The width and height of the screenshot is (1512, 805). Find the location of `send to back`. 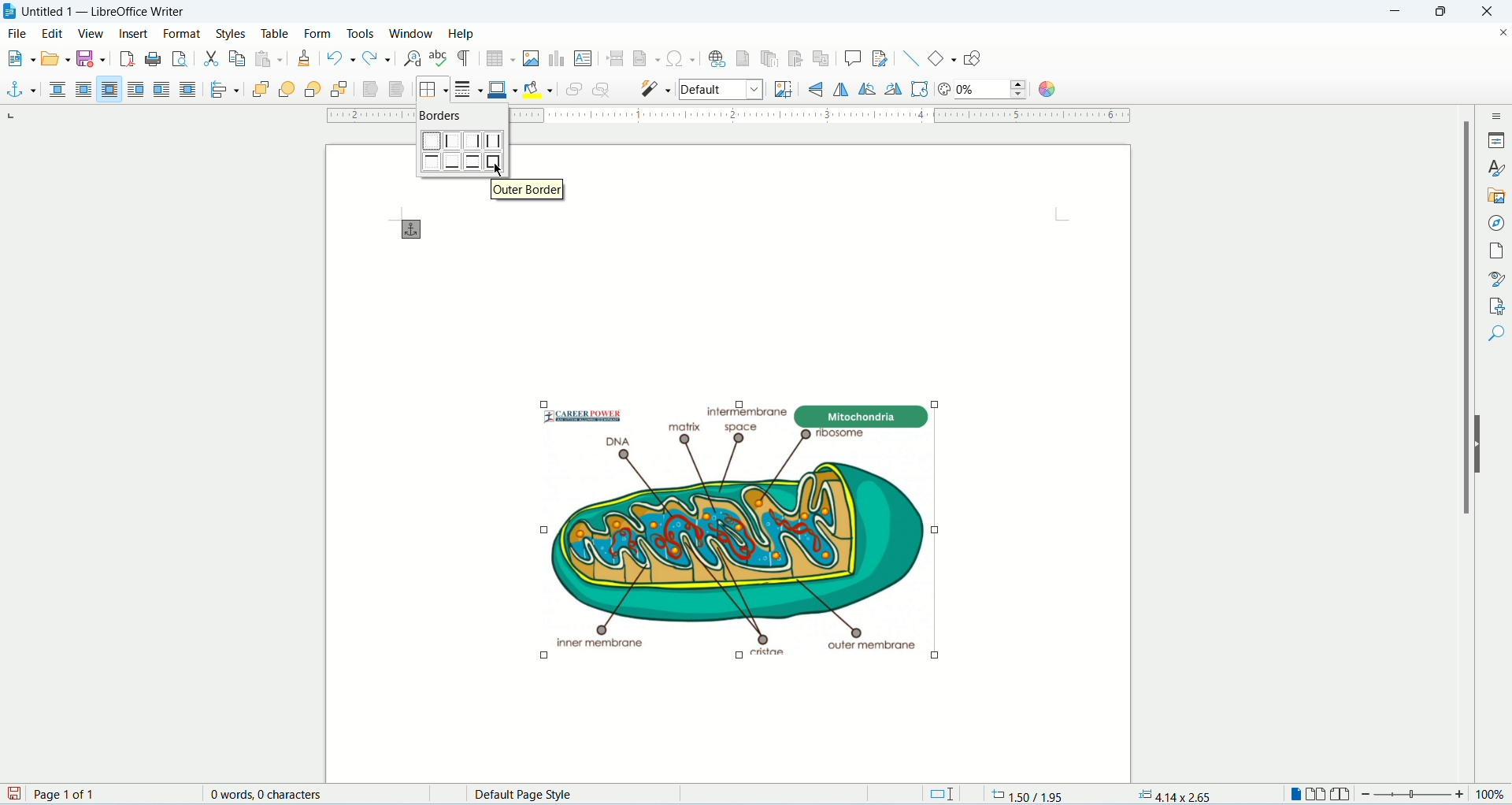

send to back is located at coordinates (340, 90).